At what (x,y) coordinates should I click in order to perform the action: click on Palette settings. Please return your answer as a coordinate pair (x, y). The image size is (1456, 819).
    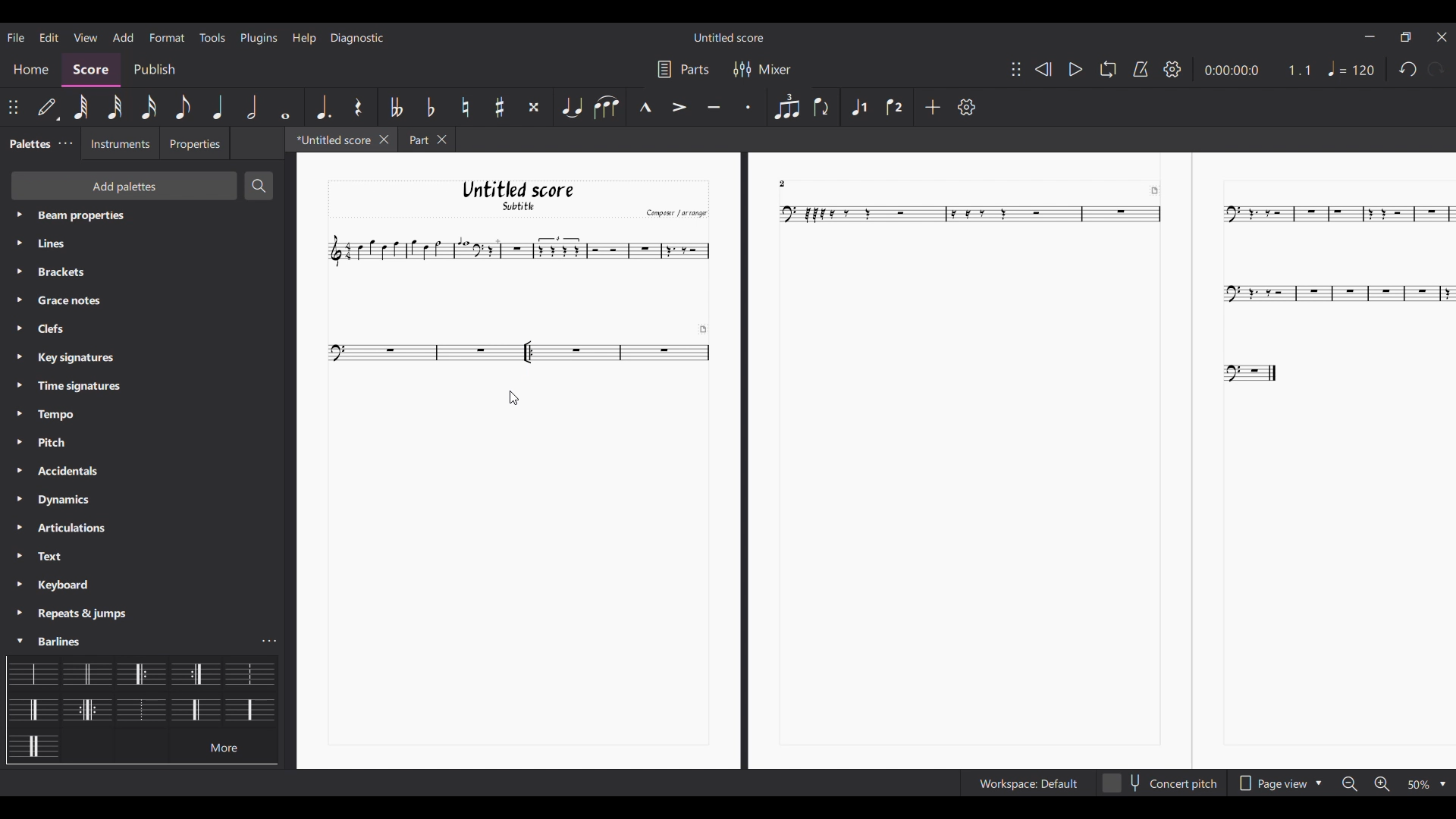
    Looking at the image, I should click on (89, 218).